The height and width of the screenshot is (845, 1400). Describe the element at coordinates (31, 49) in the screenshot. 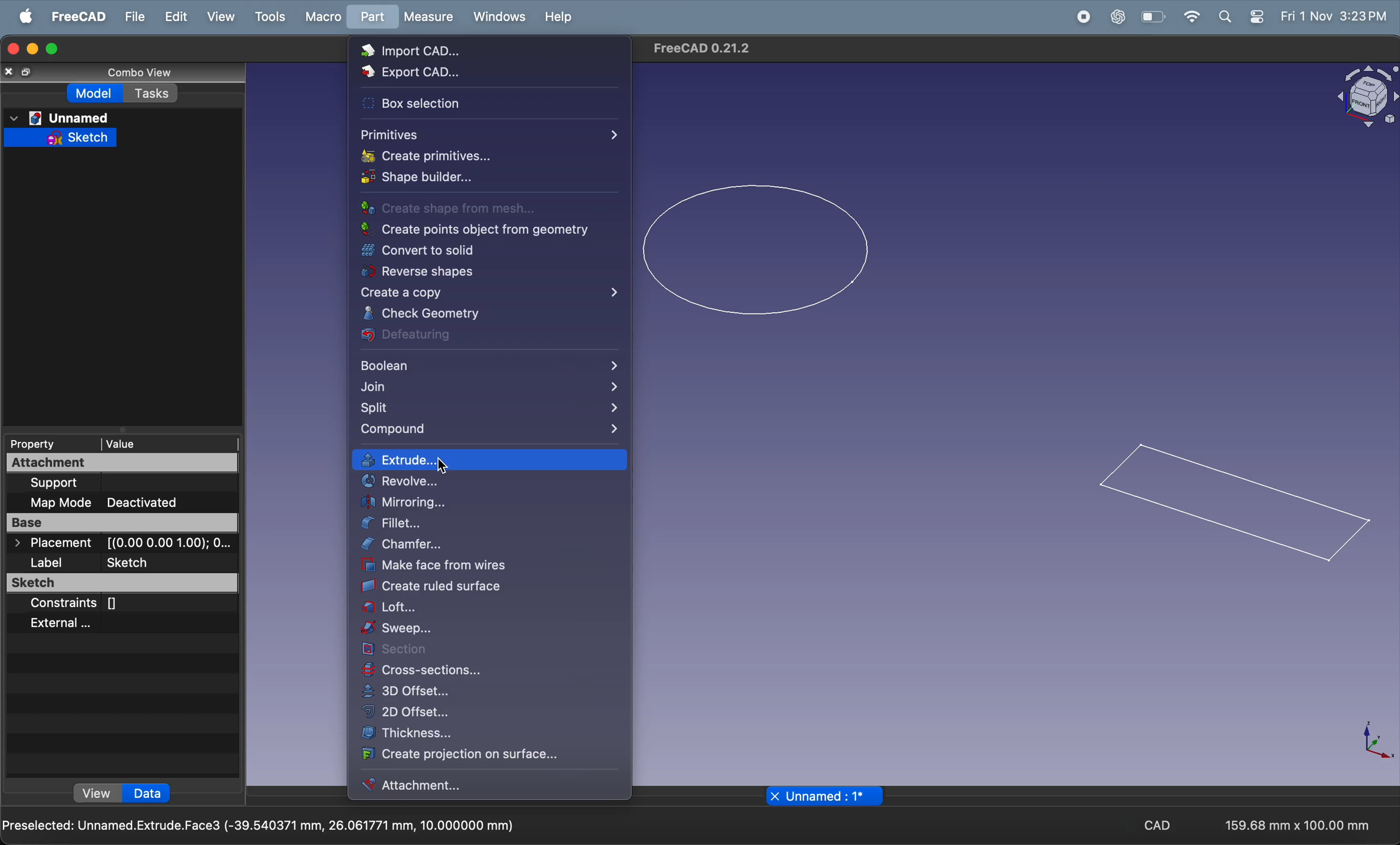

I see `minimize` at that location.